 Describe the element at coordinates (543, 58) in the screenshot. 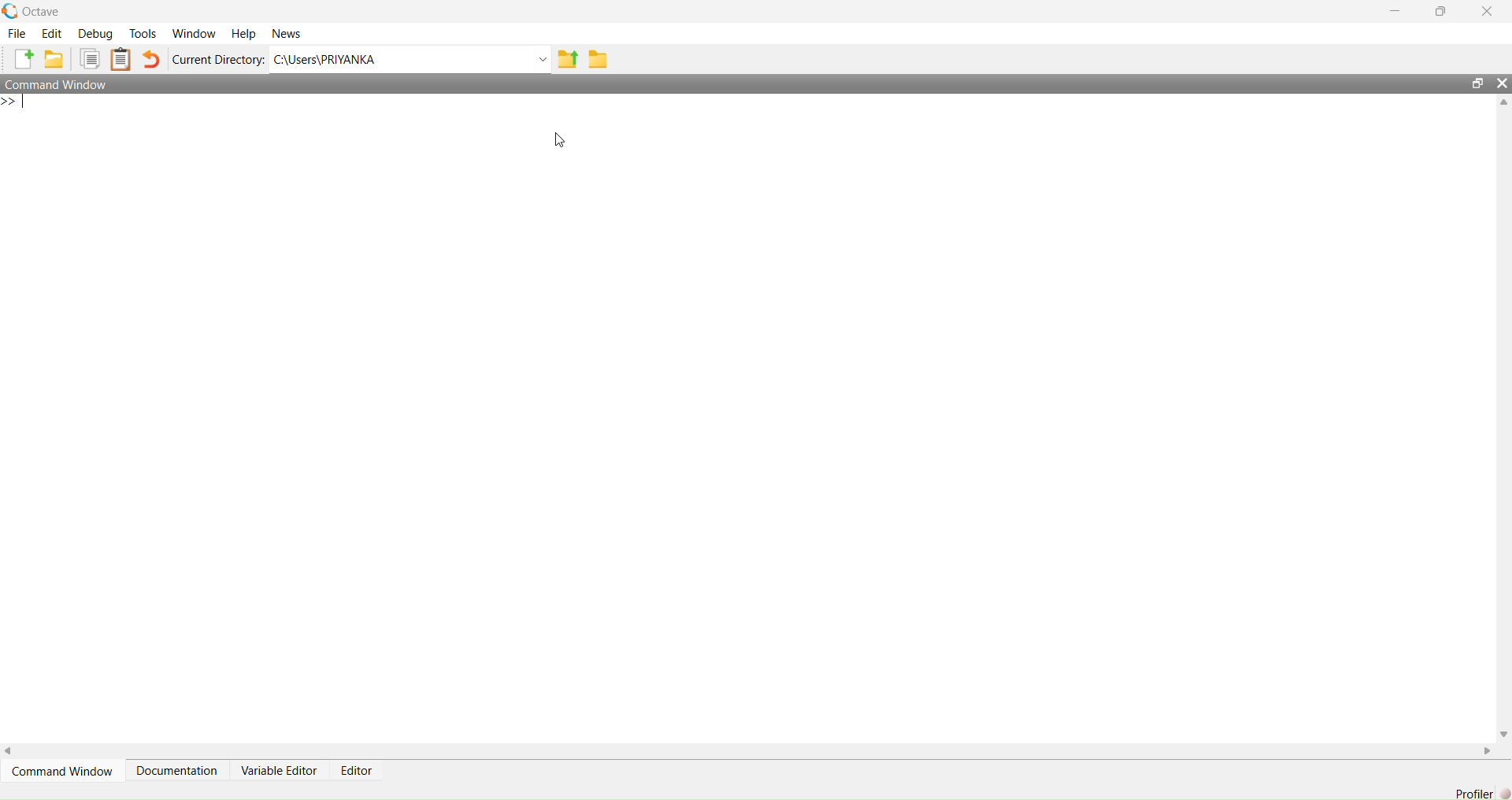

I see `Enter directory name` at that location.